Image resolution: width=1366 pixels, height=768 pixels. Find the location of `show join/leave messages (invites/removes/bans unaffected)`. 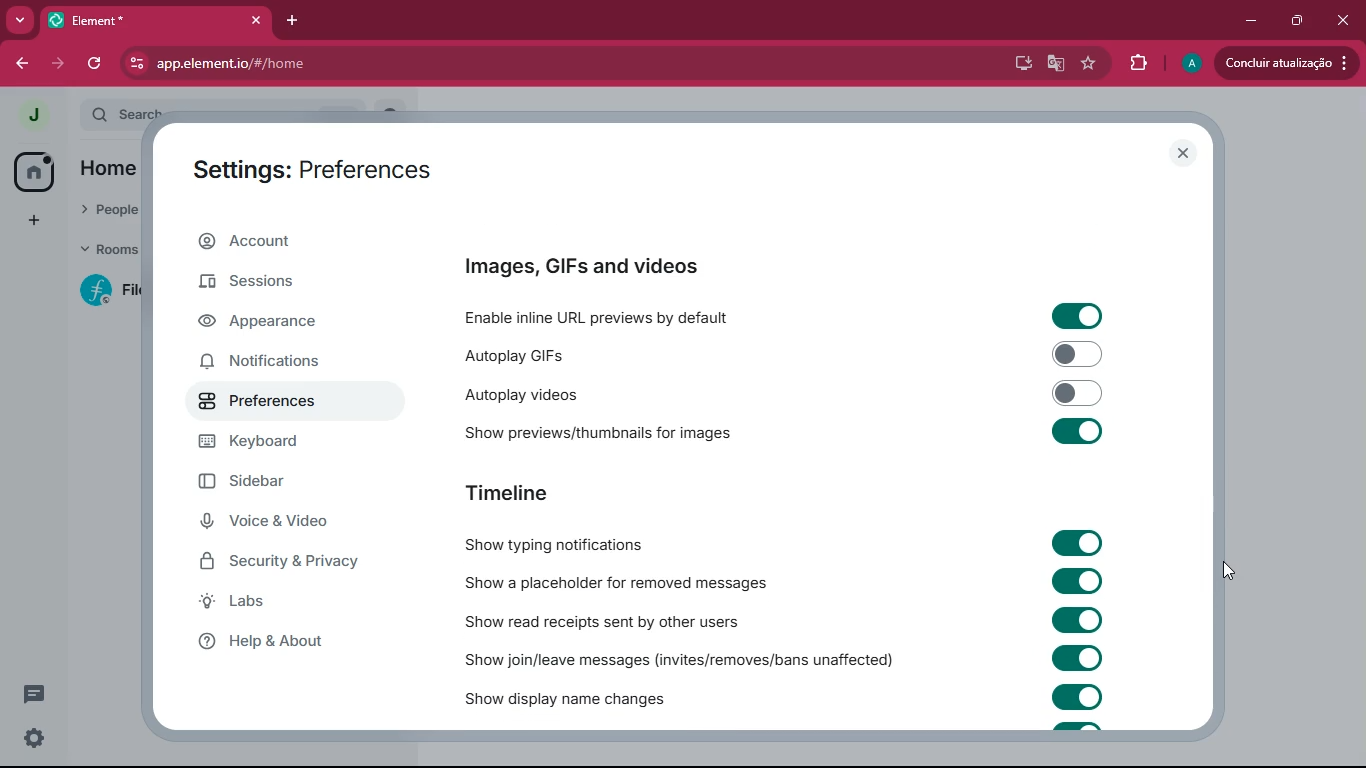

show join/leave messages (invites/removes/bans unaffected) is located at coordinates (681, 658).